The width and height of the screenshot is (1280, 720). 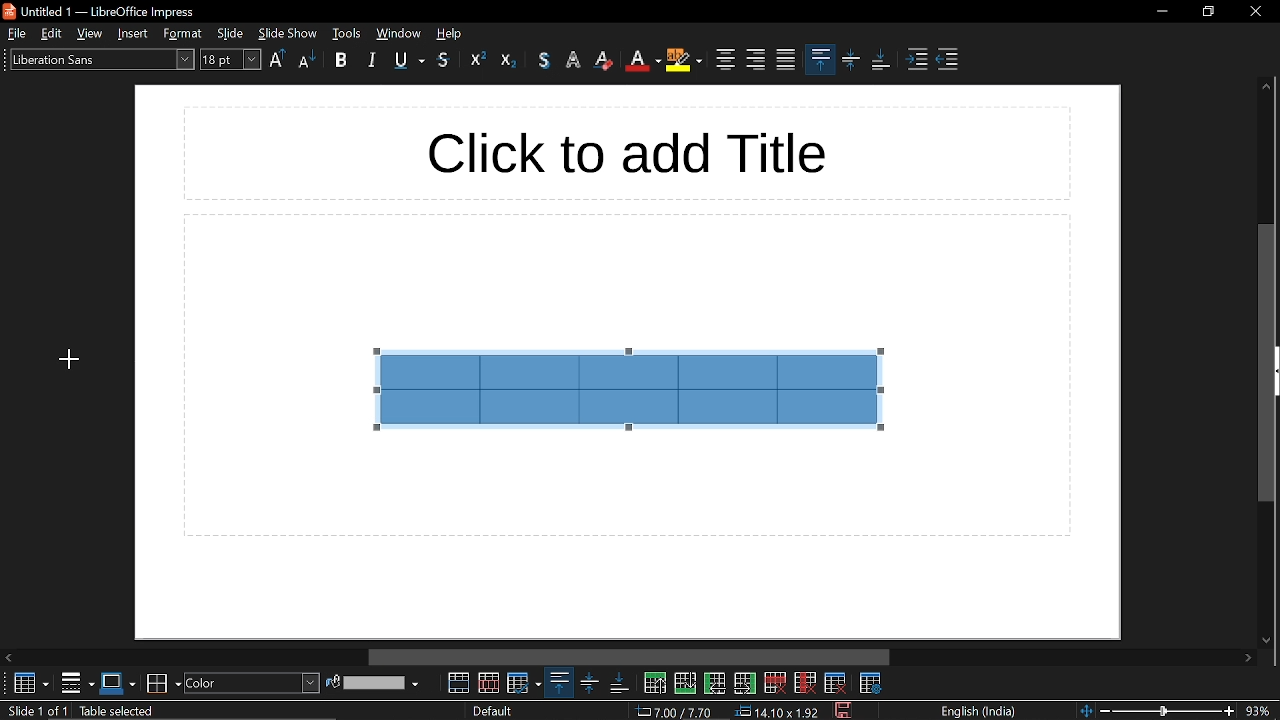 What do you see at coordinates (626, 657) in the screenshot?
I see `horizontal scrollbar` at bounding box center [626, 657].